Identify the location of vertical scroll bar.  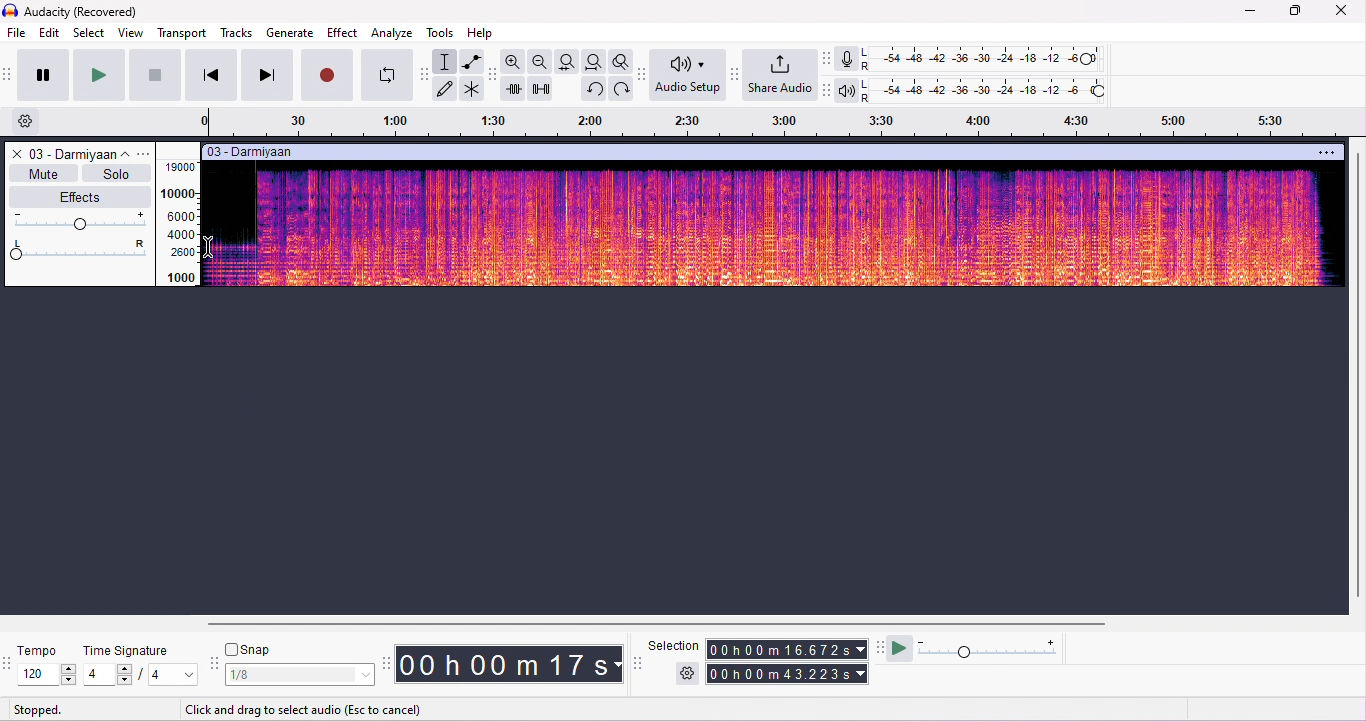
(1357, 376).